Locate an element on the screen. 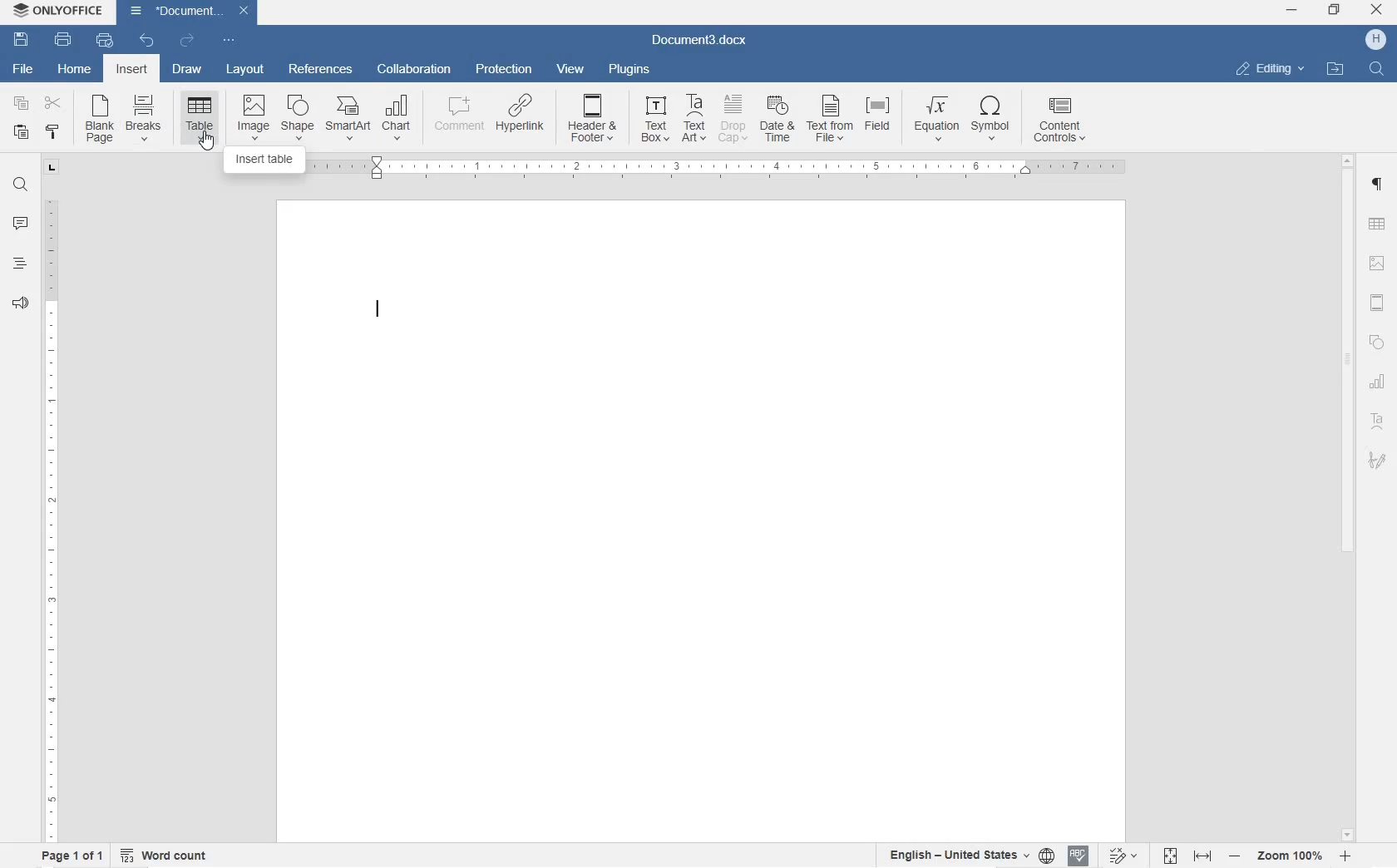 The width and height of the screenshot is (1397, 868). Shape is located at coordinates (297, 117).